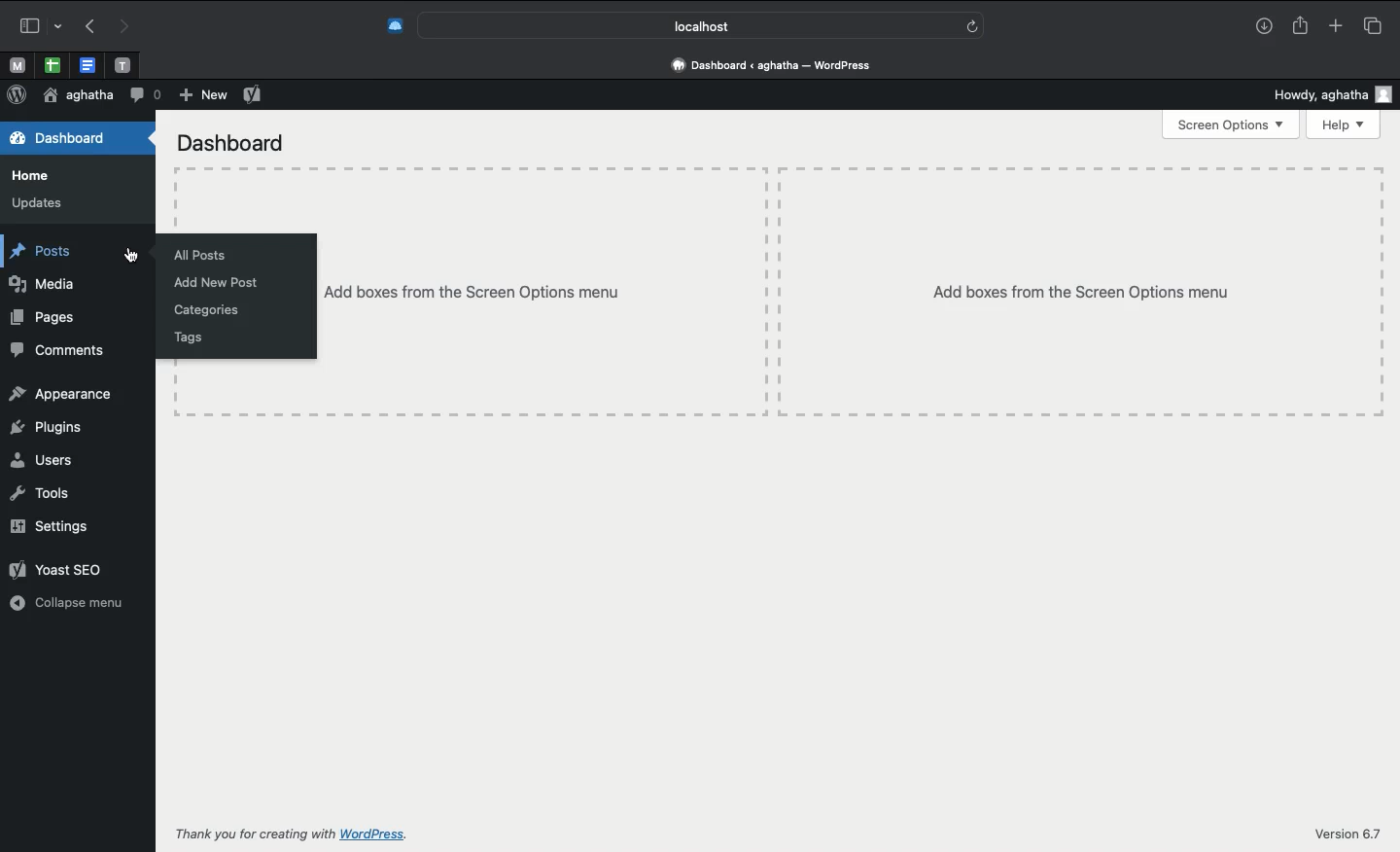 This screenshot has width=1400, height=852. I want to click on Help, so click(1344, 127).